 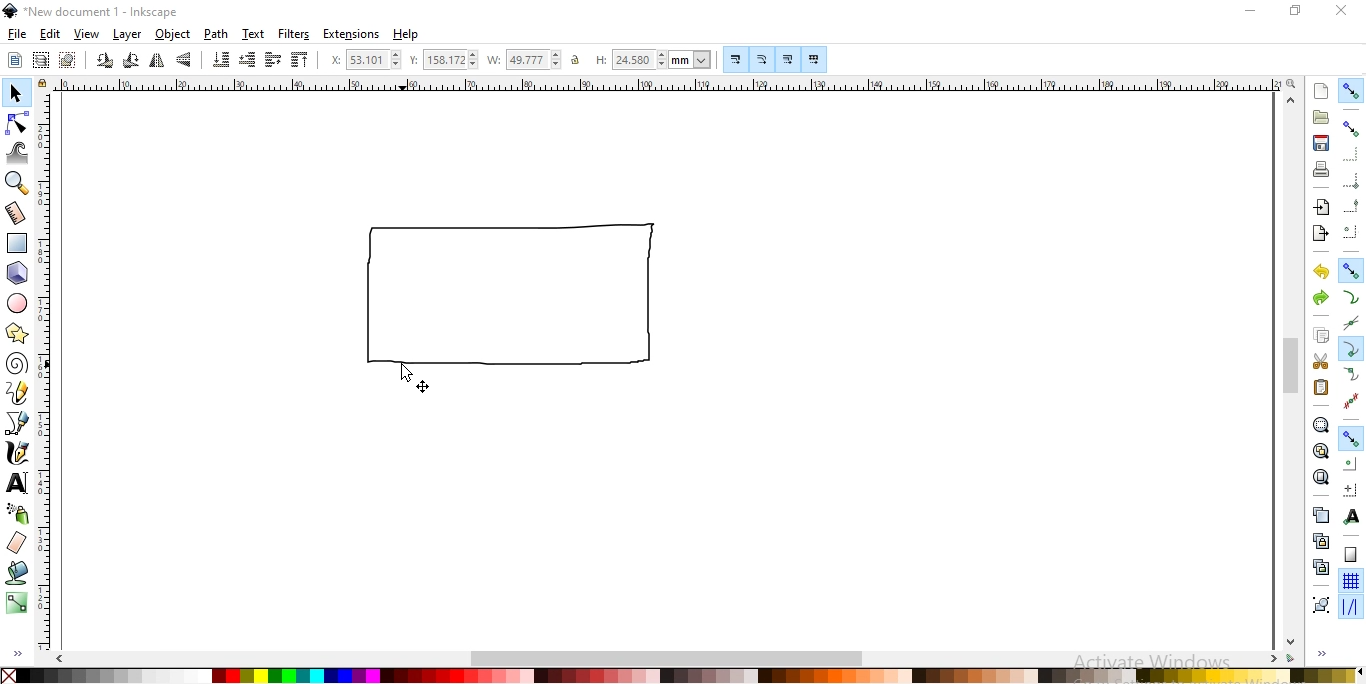 I want to click on shape image, so click(x=505, y=302).